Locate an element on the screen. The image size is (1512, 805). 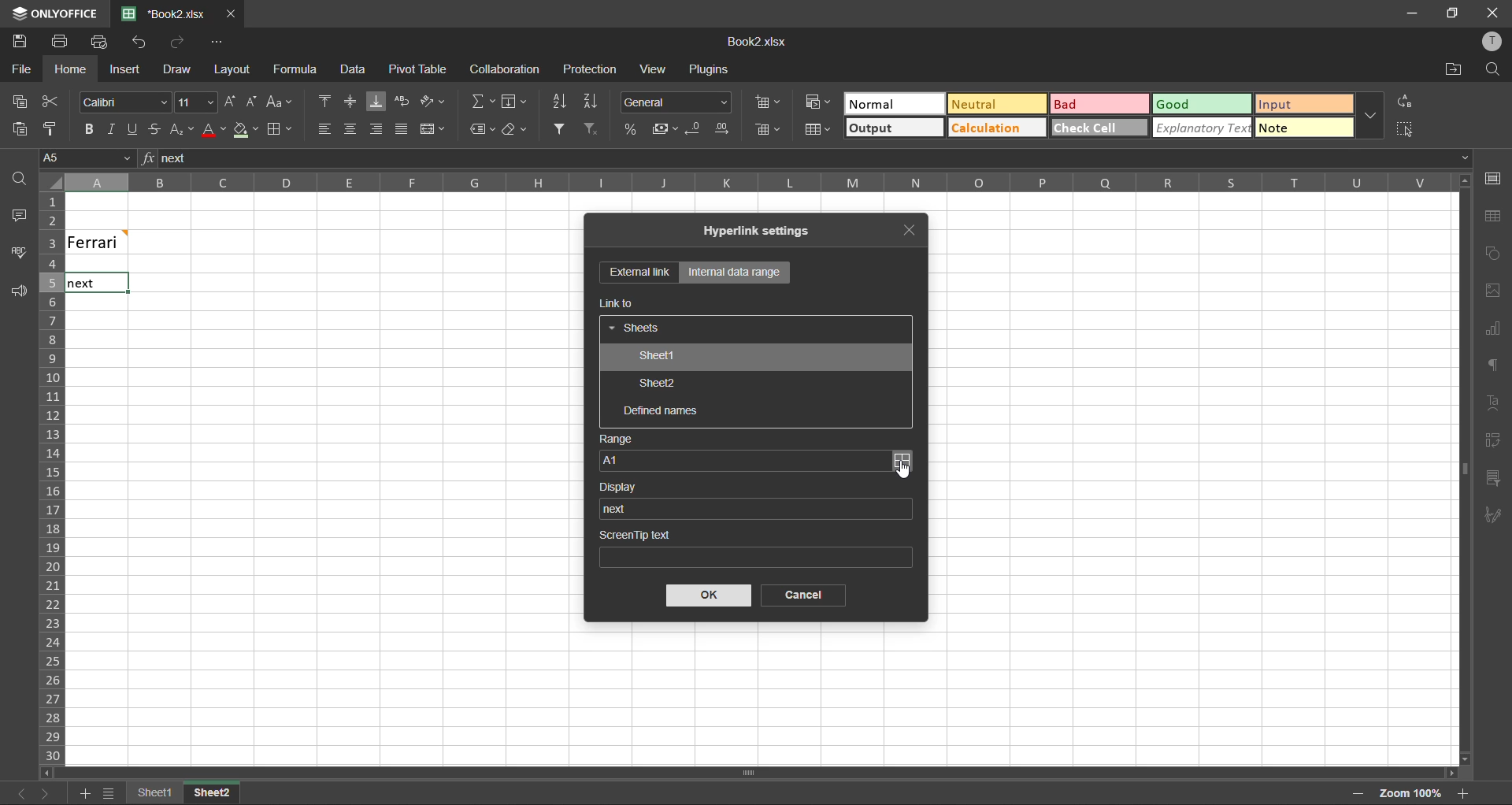
sort ascending is located at coordinates (560, 102).